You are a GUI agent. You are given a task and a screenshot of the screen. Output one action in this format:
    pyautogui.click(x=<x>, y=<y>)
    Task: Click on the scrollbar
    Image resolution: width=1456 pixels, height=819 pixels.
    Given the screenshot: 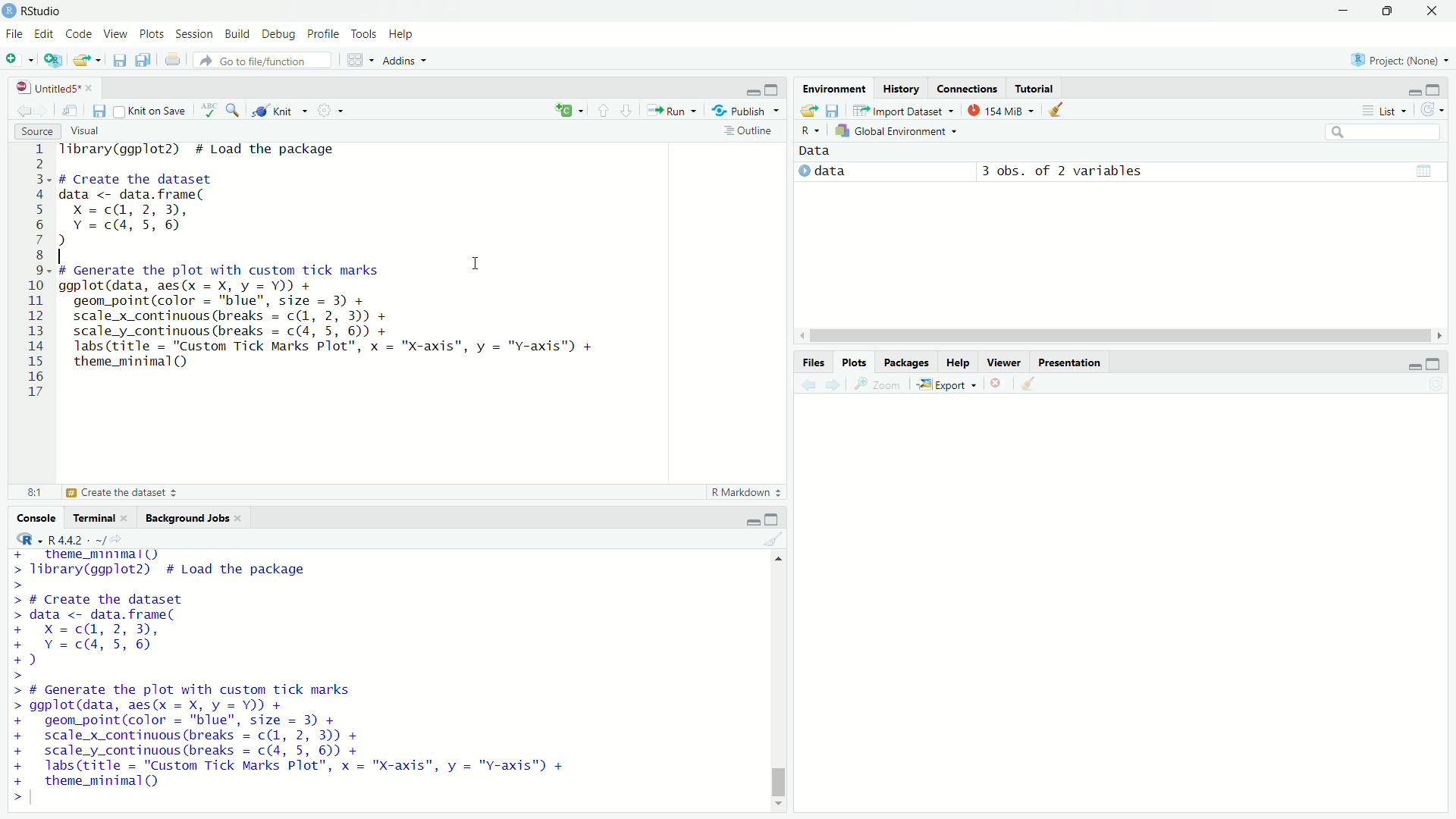 What is the action you would take?
    pyautogui.click(x=1116, y=335)
    